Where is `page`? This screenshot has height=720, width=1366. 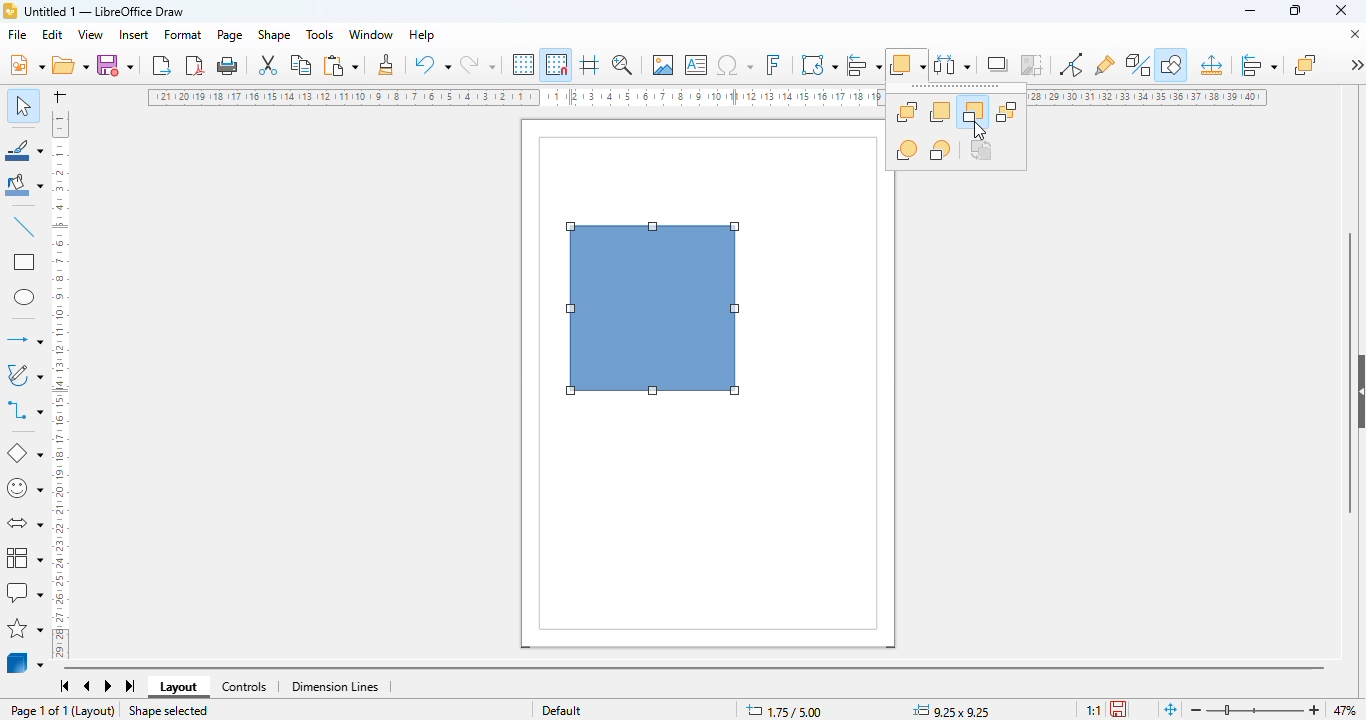
page is located at coordinates (230, 35).